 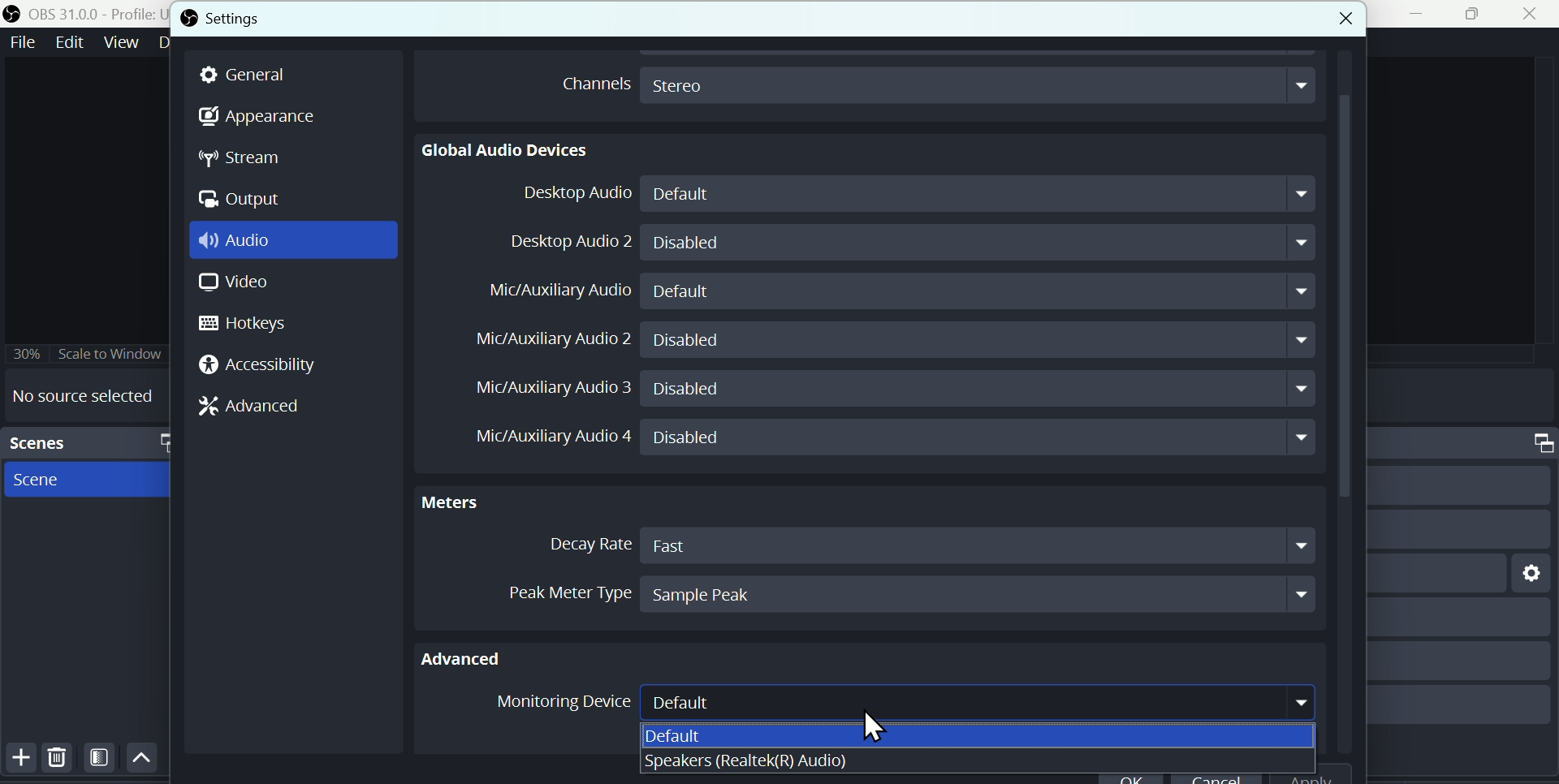 What do you see at coordinates (745, 761) in the screenshot?
I see `Speakers Realtek R audio` at bounding box center [745, 761].